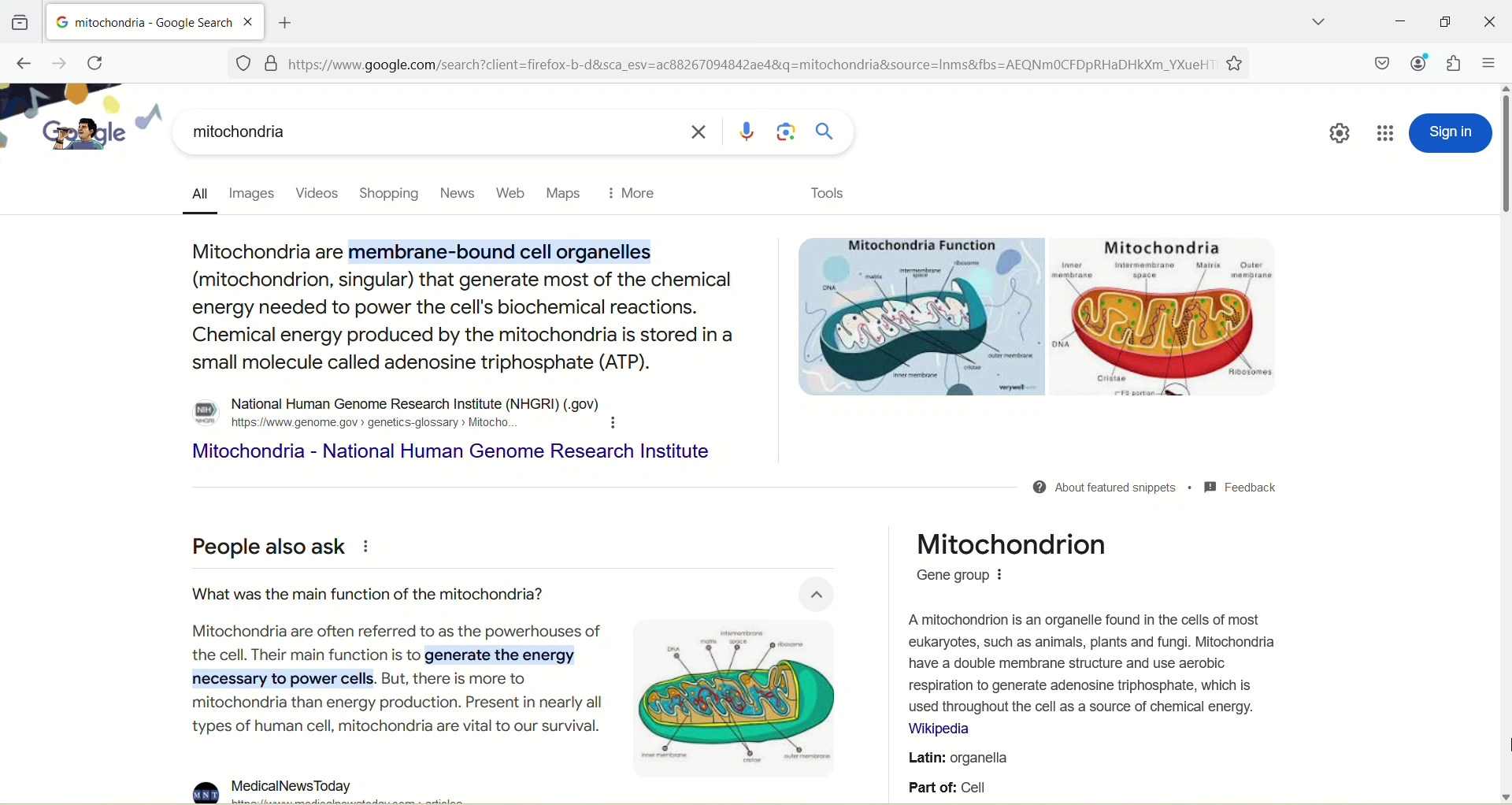 Image resolution: width=1512 pixels, height=805 pixels. I want to click on maximize, so click(1443, 22).